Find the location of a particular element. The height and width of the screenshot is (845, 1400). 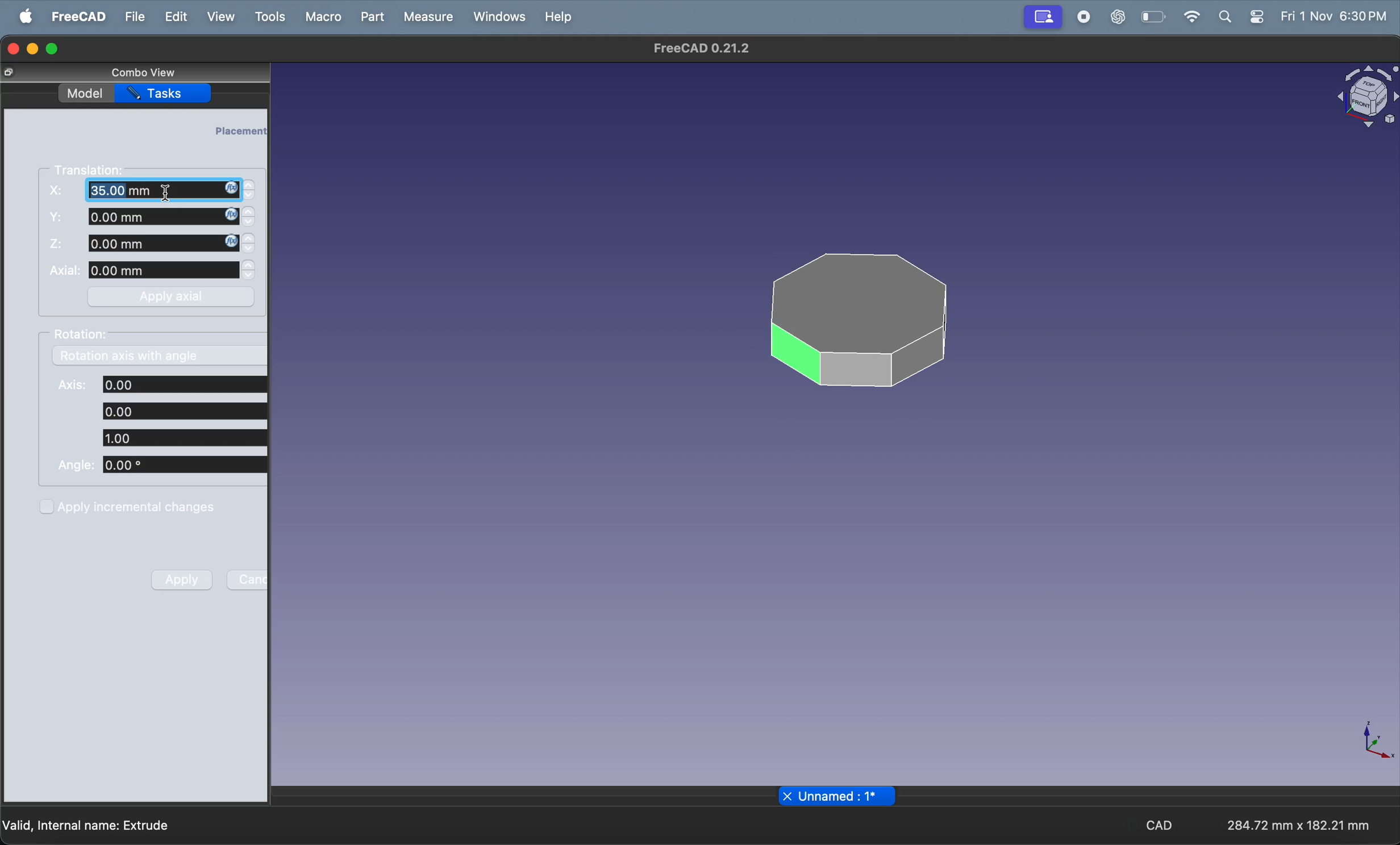

tools is located at coordinates (268, 18).